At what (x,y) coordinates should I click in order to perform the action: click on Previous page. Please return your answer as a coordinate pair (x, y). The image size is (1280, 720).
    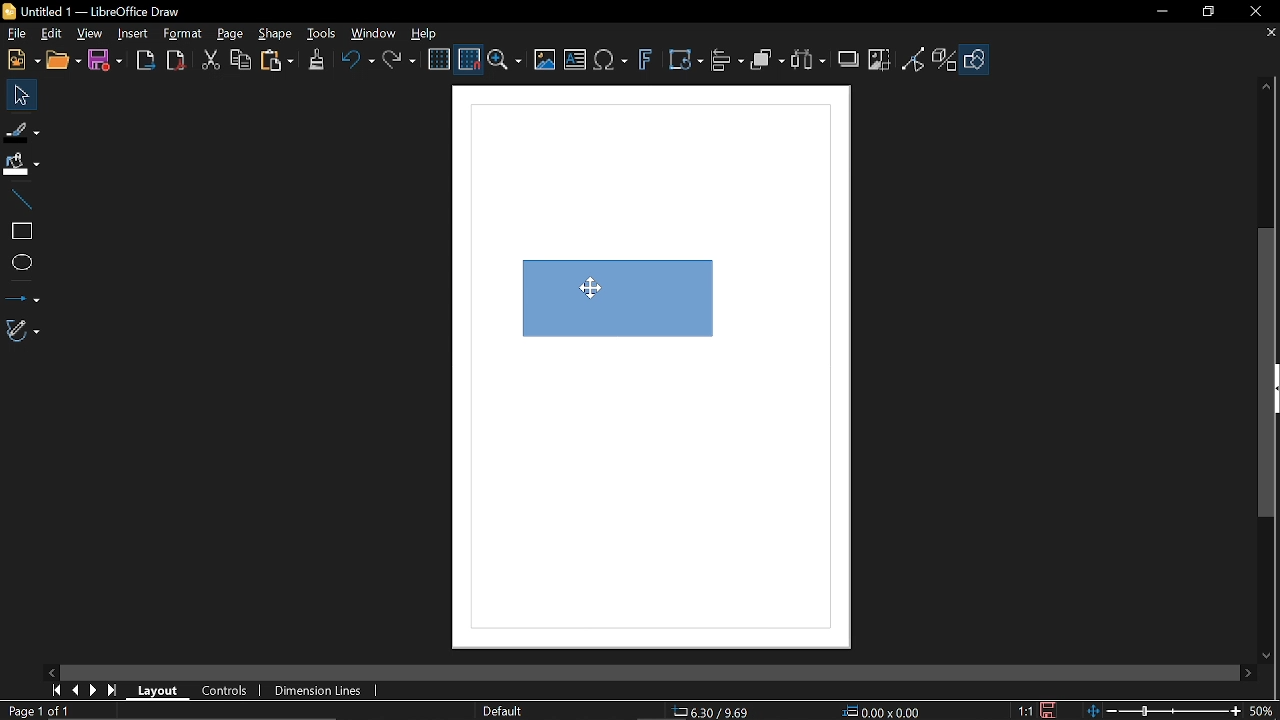
    Looking at the image, I should click on (74, 691).